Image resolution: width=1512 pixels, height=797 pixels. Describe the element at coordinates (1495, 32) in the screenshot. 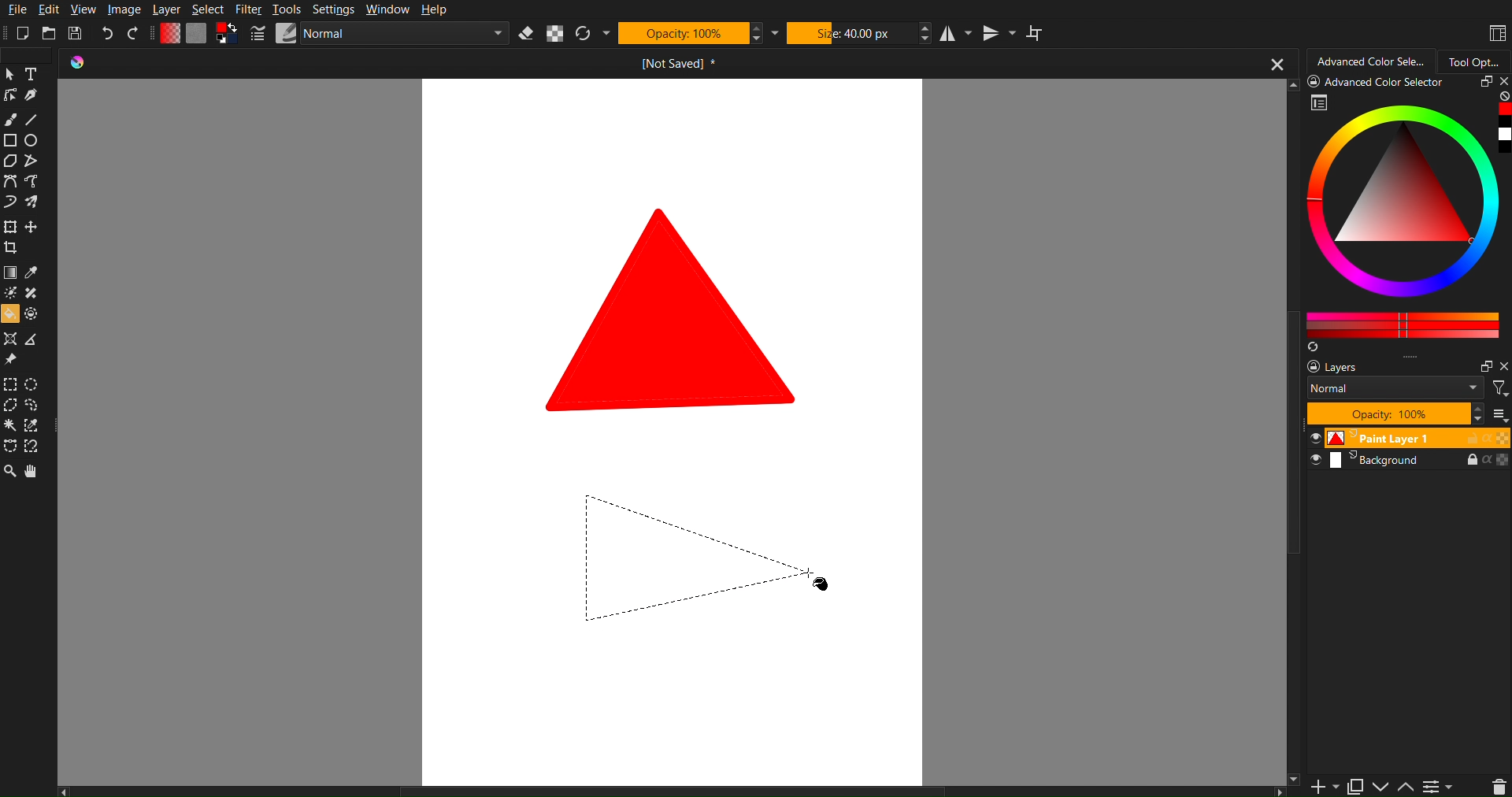

I see `Workspaces` at that location.